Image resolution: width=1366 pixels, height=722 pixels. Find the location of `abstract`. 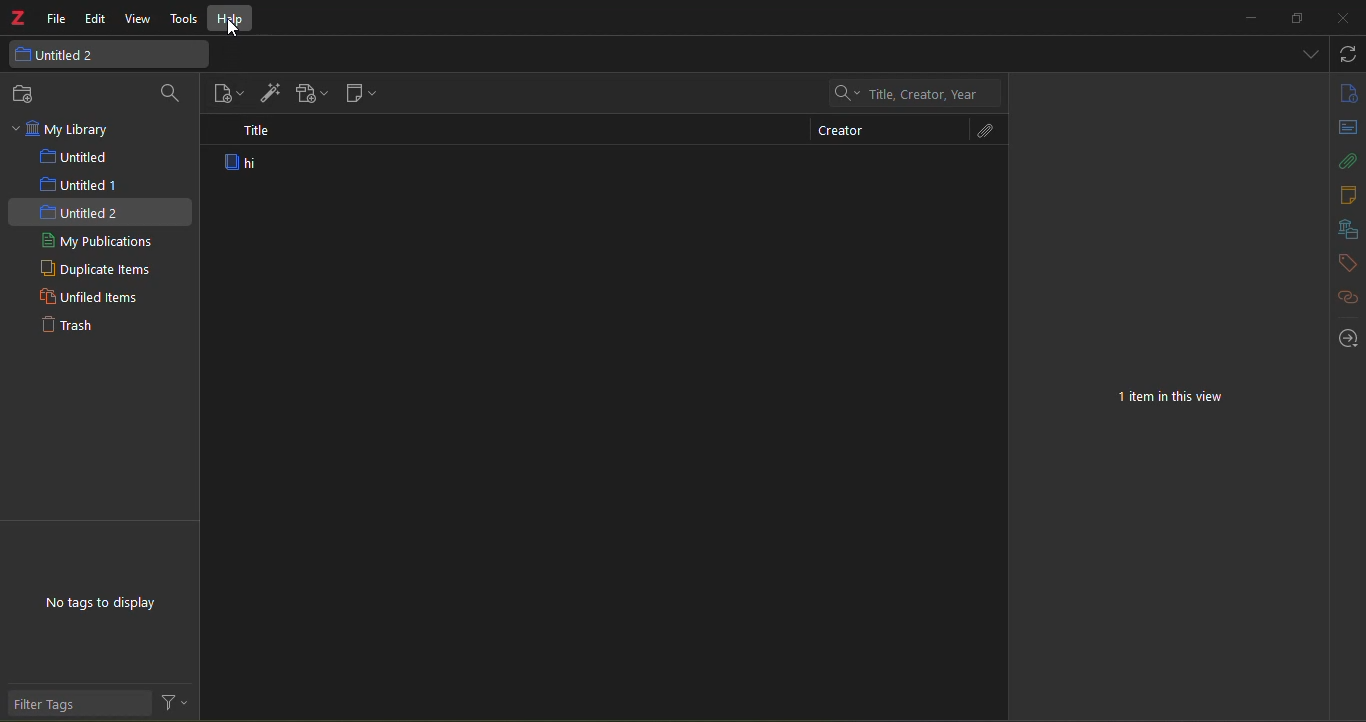

abstract is located at coordinates (1349, 127).